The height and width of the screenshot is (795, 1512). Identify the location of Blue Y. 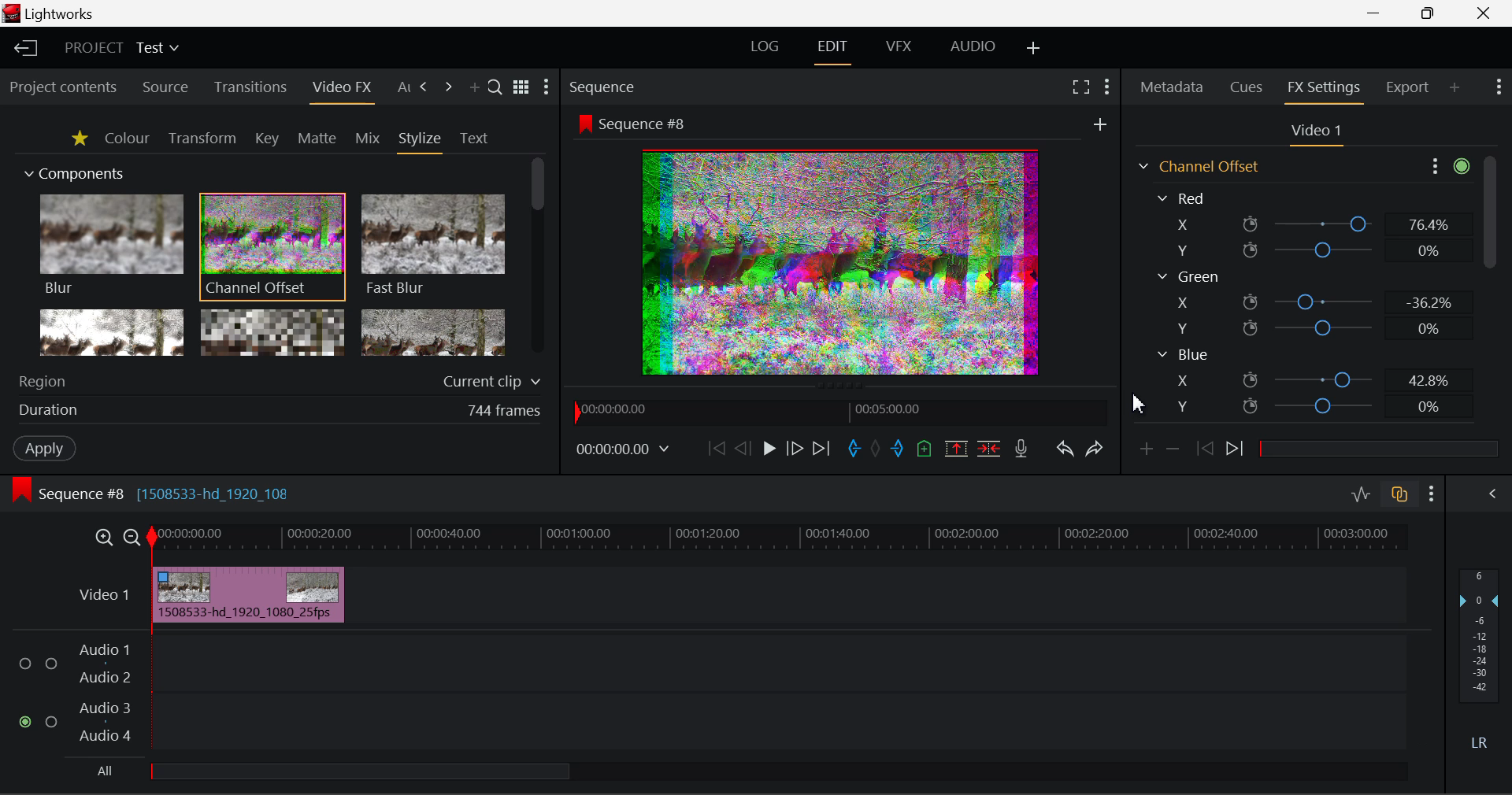
(1313, 404).